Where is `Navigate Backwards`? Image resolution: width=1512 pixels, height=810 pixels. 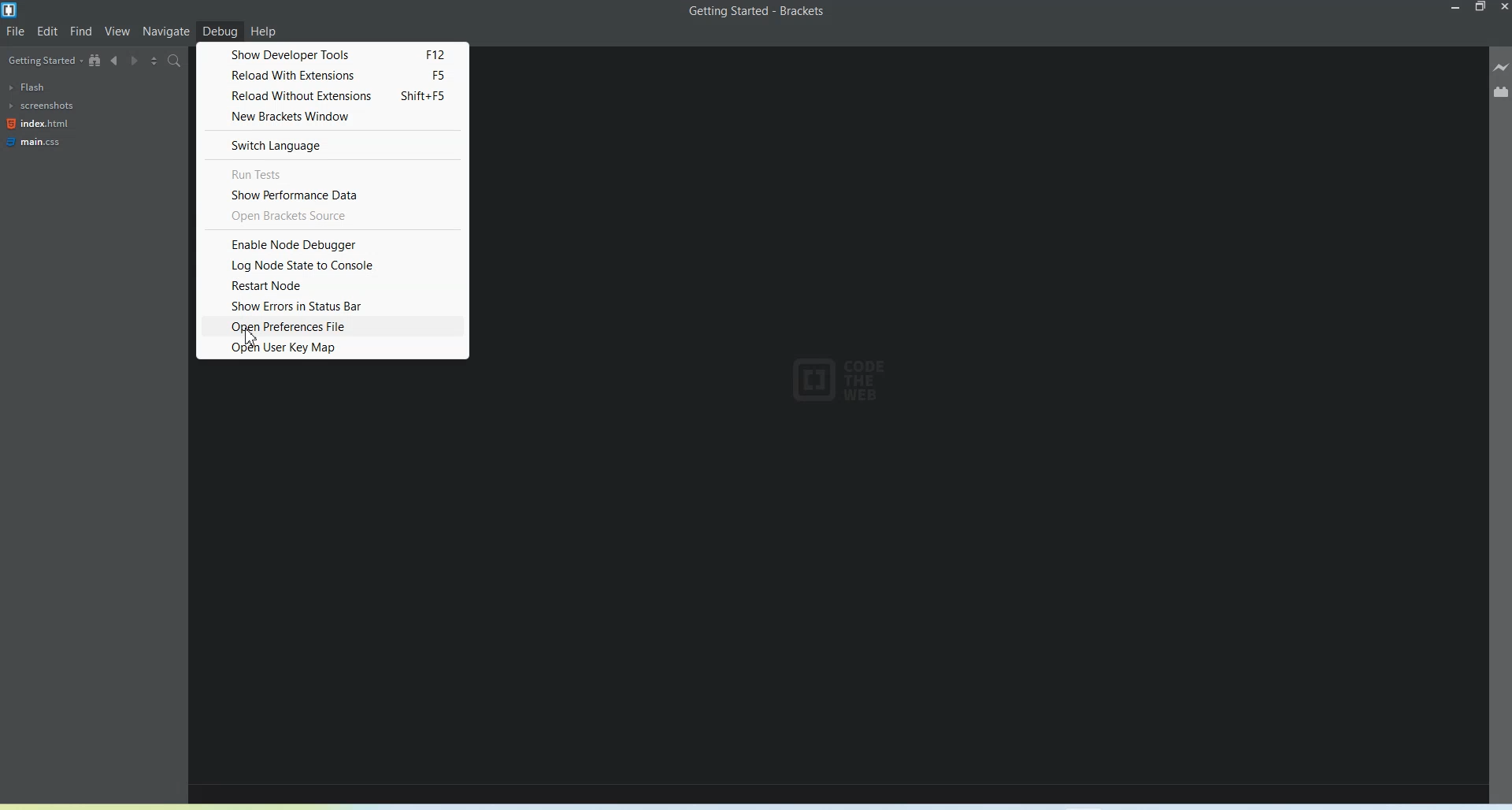 Navigate Backwards is located at coordinates (117, 61).